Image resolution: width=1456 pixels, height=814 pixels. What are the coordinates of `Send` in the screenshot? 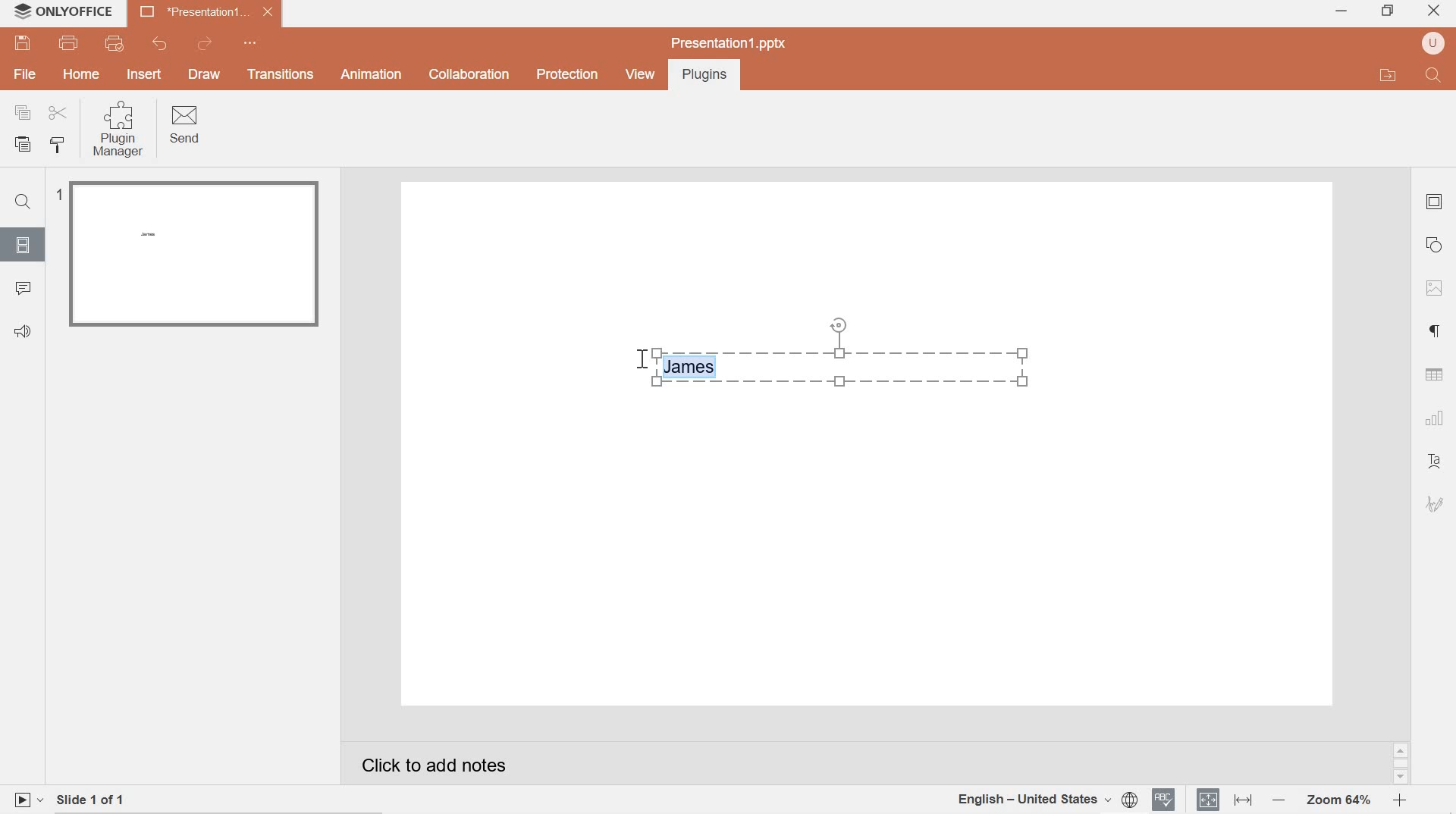 It's located at (187, 126).